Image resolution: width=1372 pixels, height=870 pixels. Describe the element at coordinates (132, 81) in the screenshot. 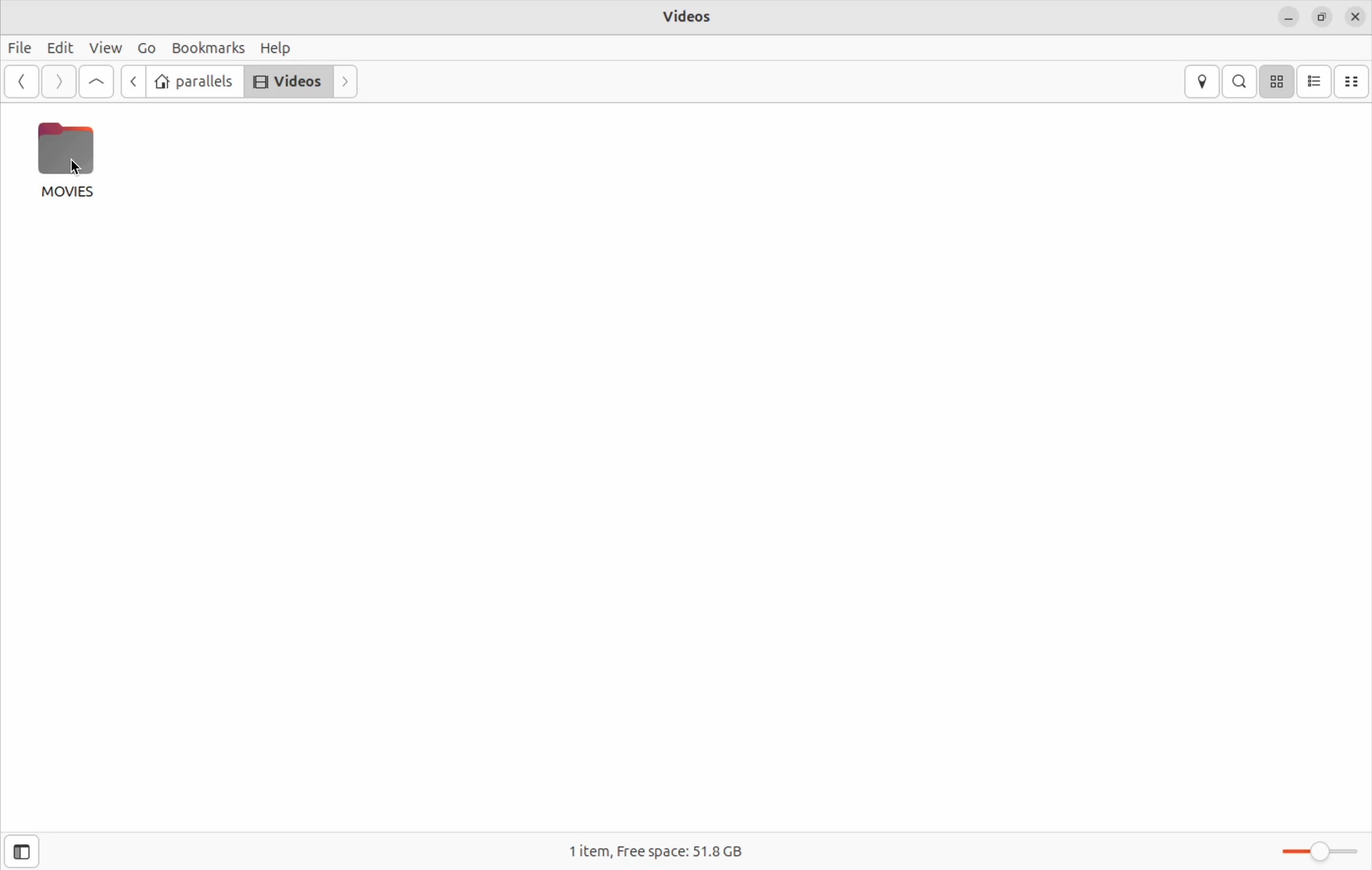

I see `go back` at that location.